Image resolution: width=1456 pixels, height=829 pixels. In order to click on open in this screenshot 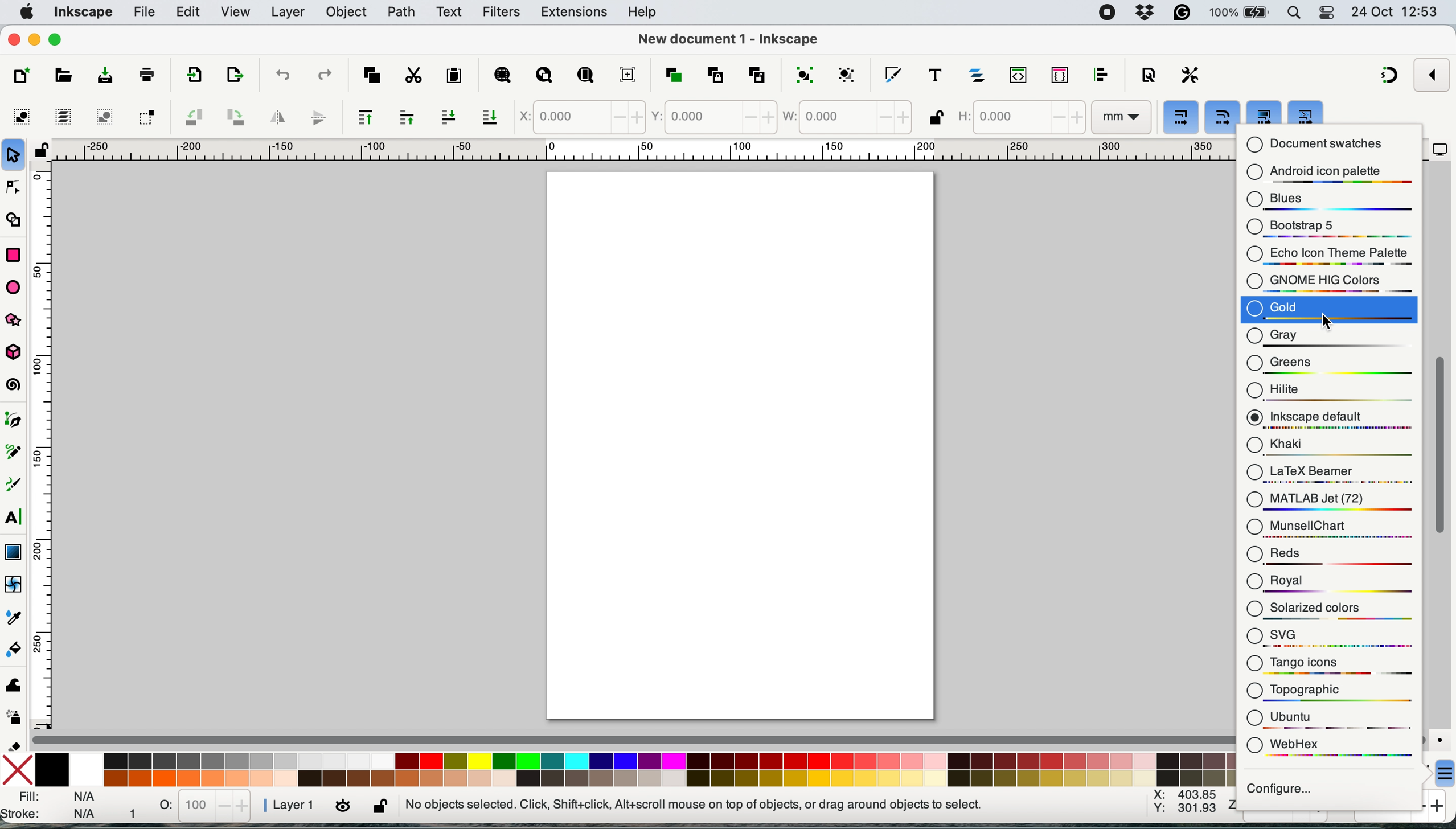, I will do `click(60, 75)`.